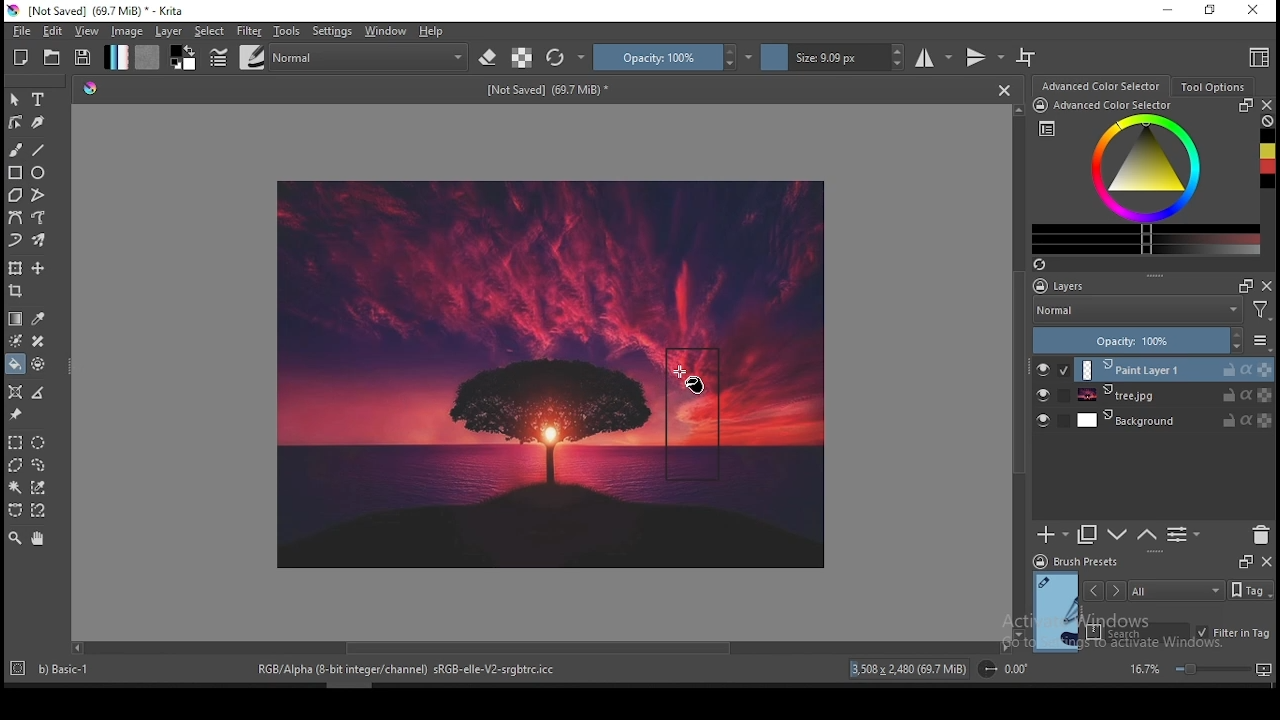  Describe the element at coordinates (1268, 105) in the screenshot. I see `close docker` at that location.